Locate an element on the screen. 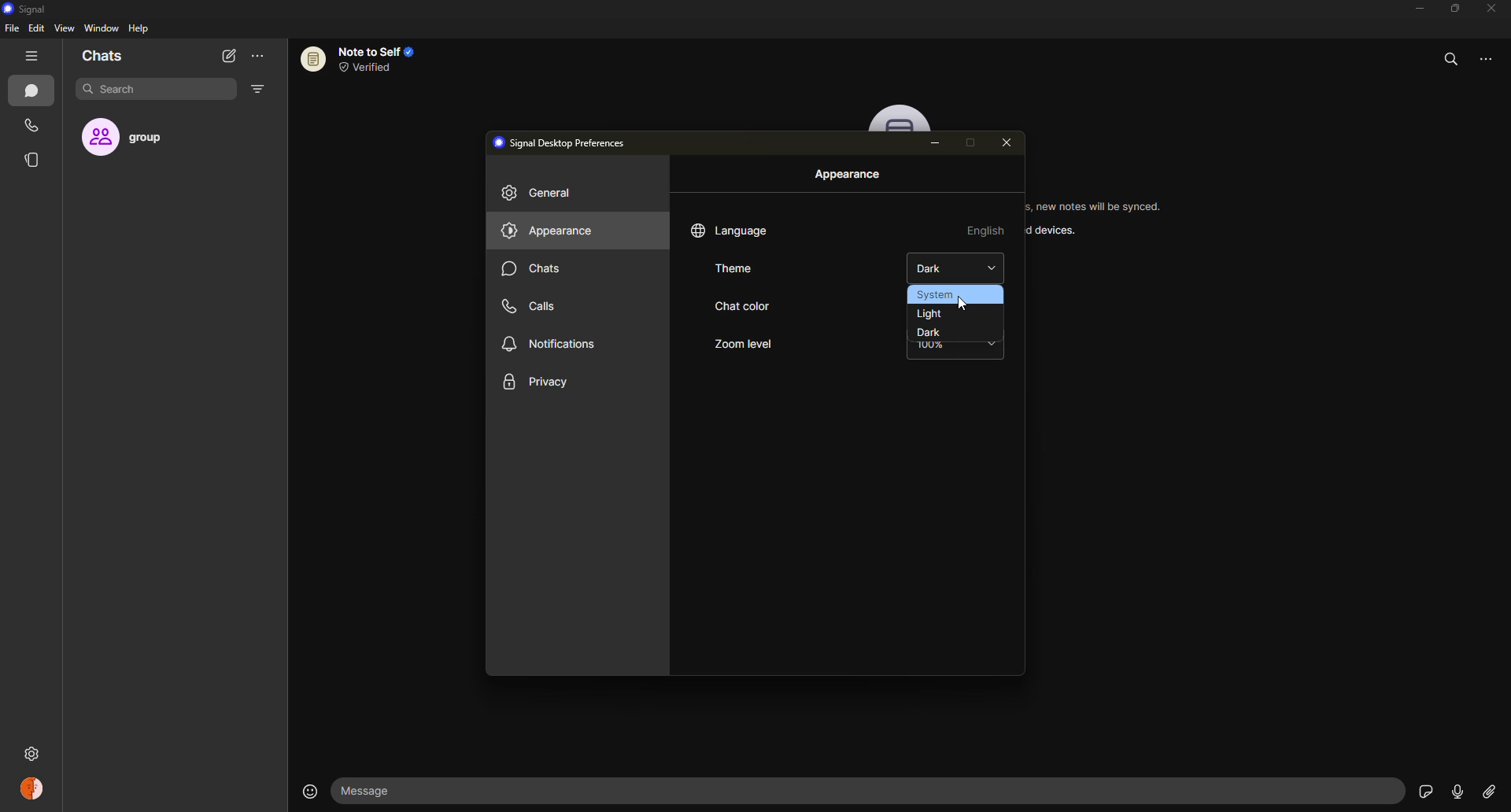 The width and height of the screenshot is (1511, 812). stickers is located at coordinates (1423, 791).